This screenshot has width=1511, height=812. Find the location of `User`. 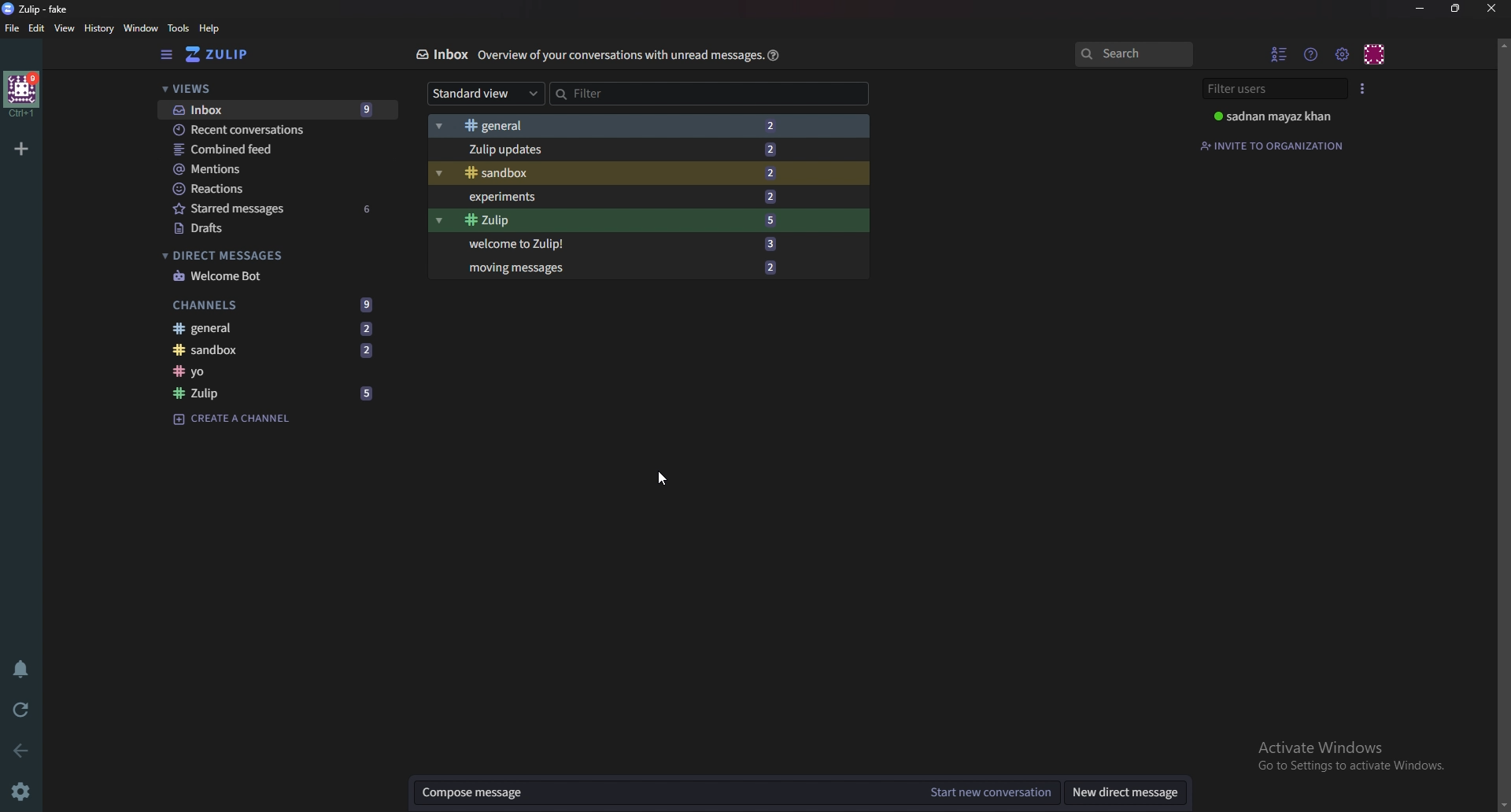

User is located at coordinates (1274, 116).